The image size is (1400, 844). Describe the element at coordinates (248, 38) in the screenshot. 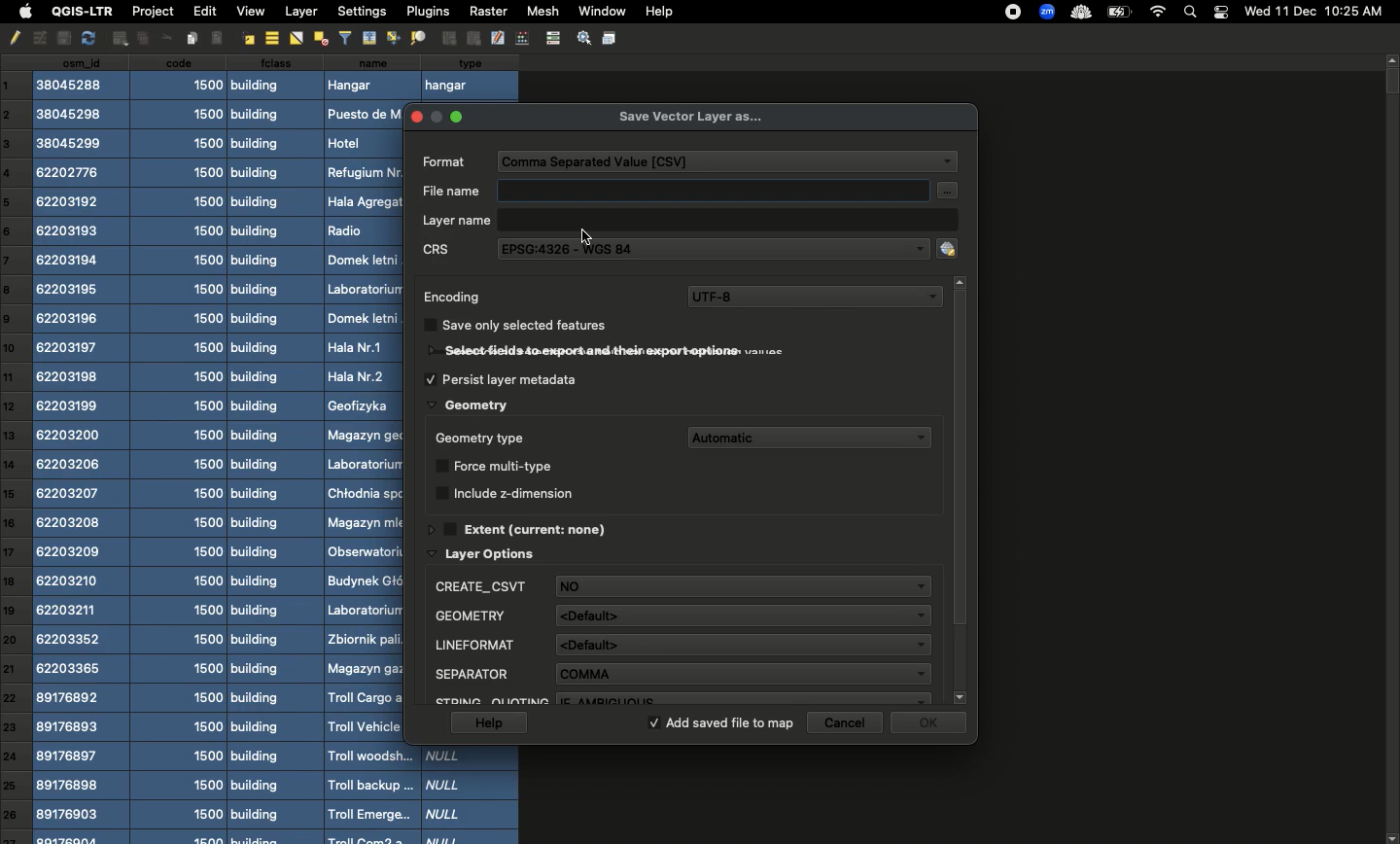

I see `Align right` at that location.